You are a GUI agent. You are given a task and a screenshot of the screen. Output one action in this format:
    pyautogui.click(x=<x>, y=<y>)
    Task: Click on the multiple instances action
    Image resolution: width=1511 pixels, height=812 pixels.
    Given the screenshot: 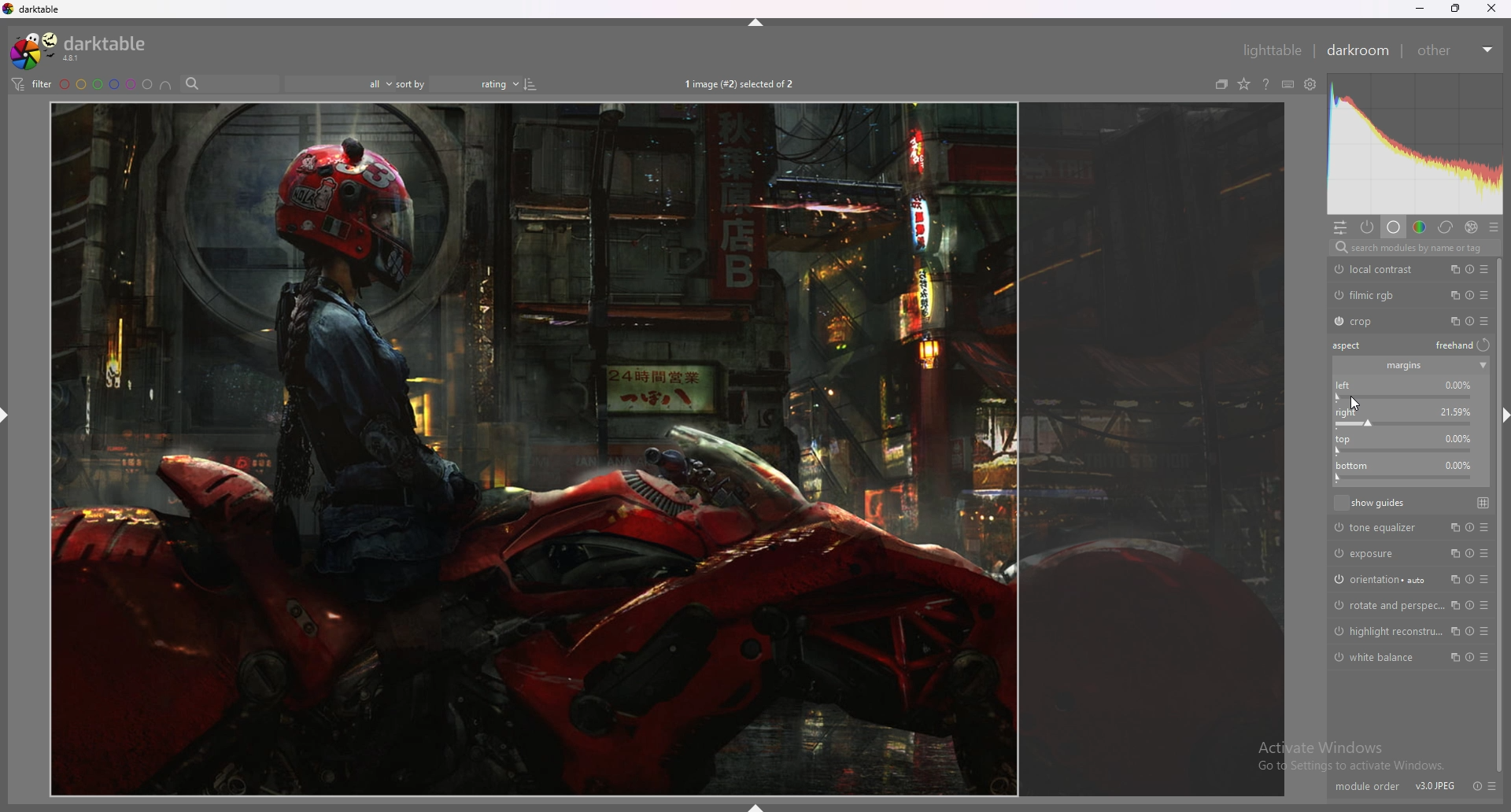 What is the action you would take?
    pyautogui.click(x=1454, y=658)
    